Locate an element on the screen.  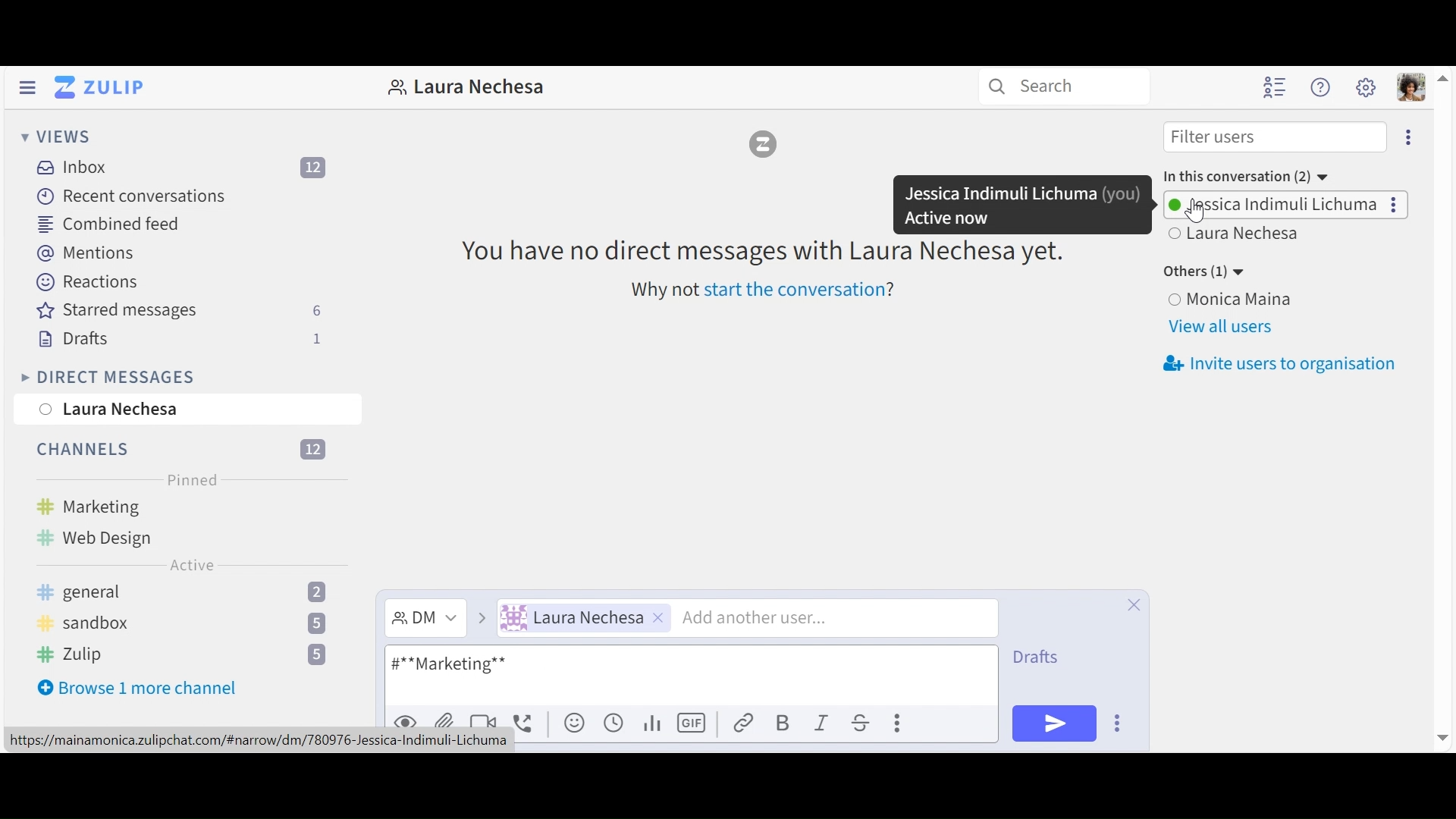
Active is located at coordinates (194, 566).